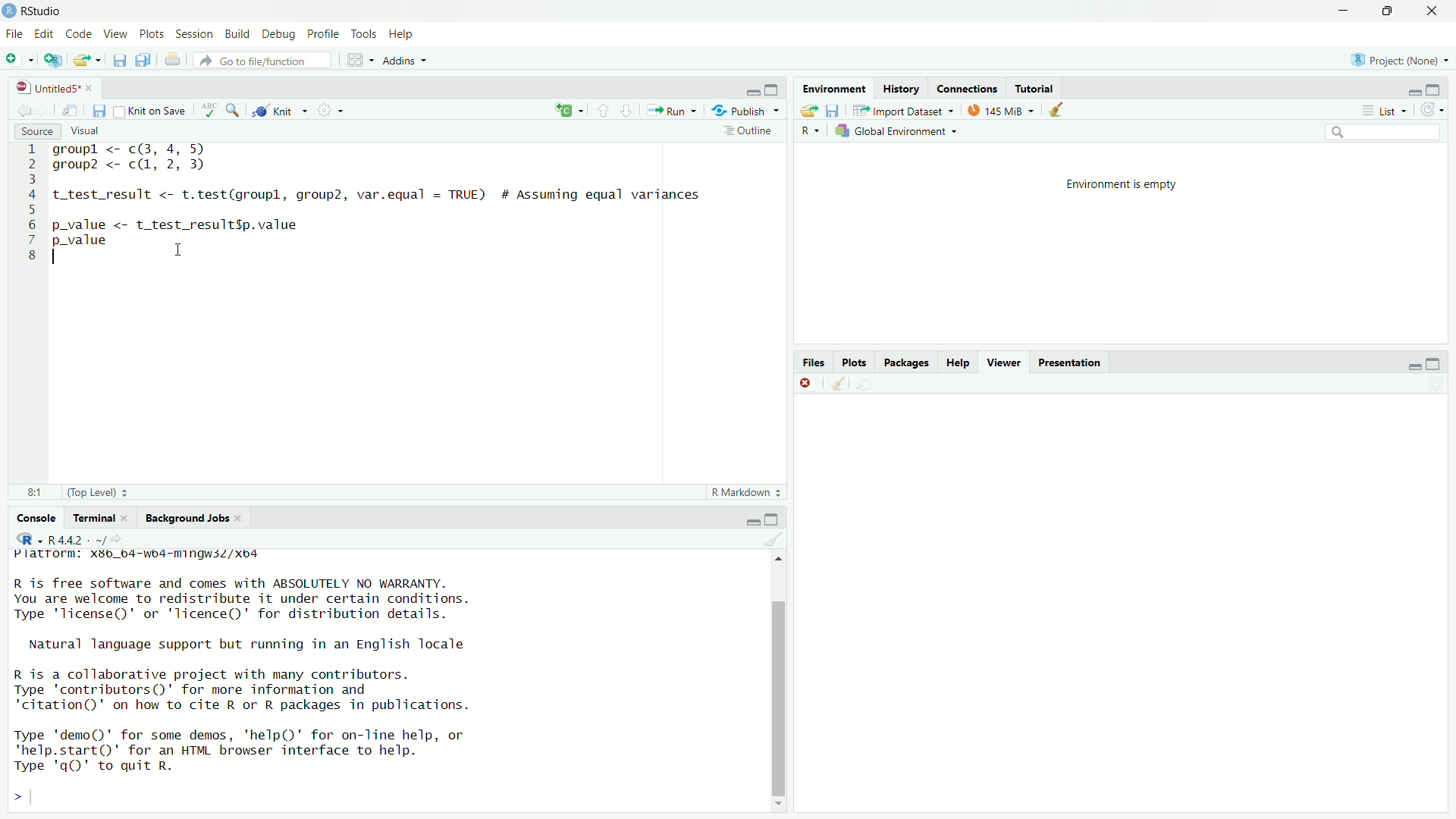 The image size is (1456, 819). What do you see at coordinates (36, 518) in the screenshot?
I see `Console` at bounding box center [36, 518].